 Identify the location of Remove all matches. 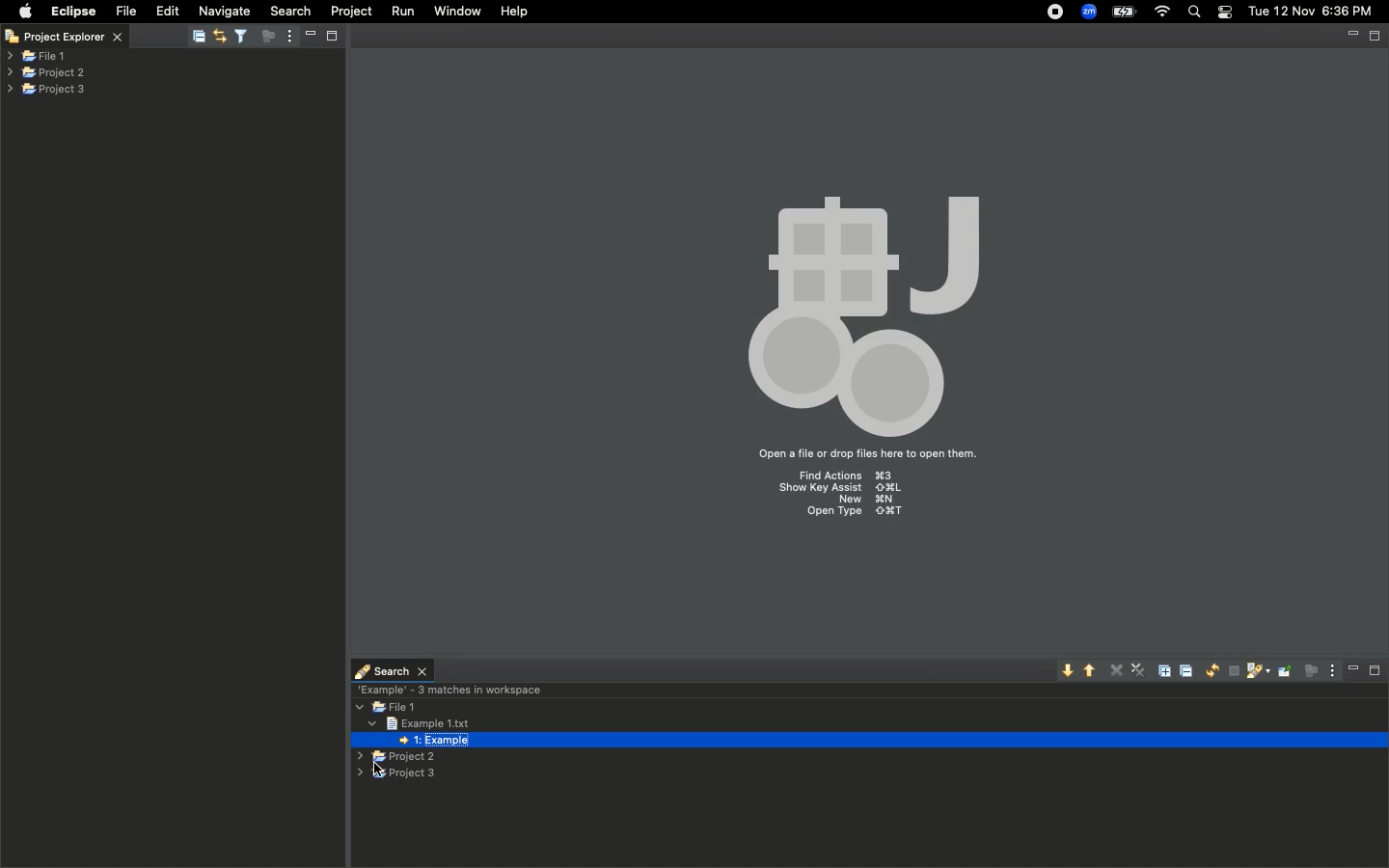
(1140, 672).